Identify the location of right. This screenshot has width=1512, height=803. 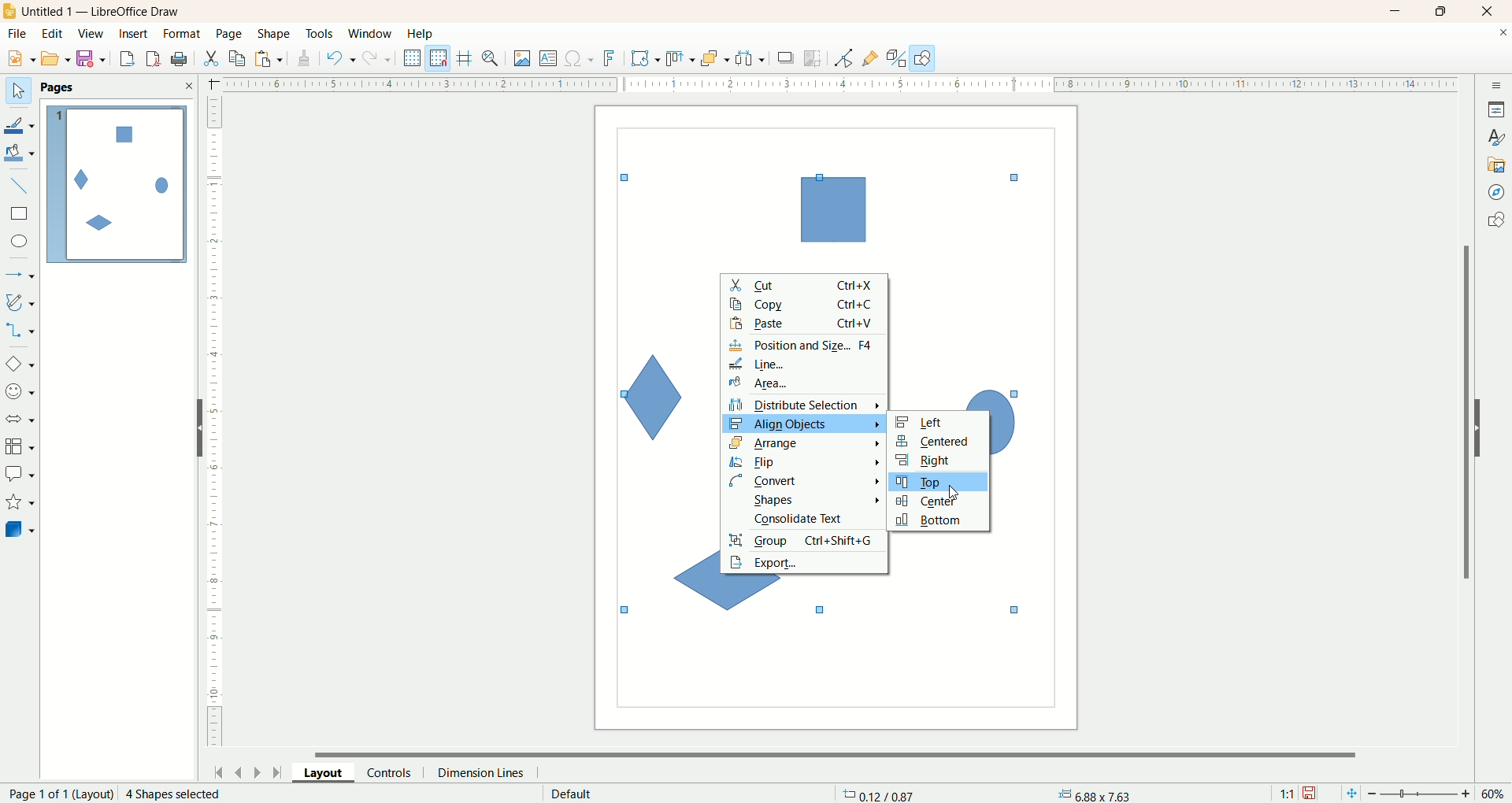
(937, 461).